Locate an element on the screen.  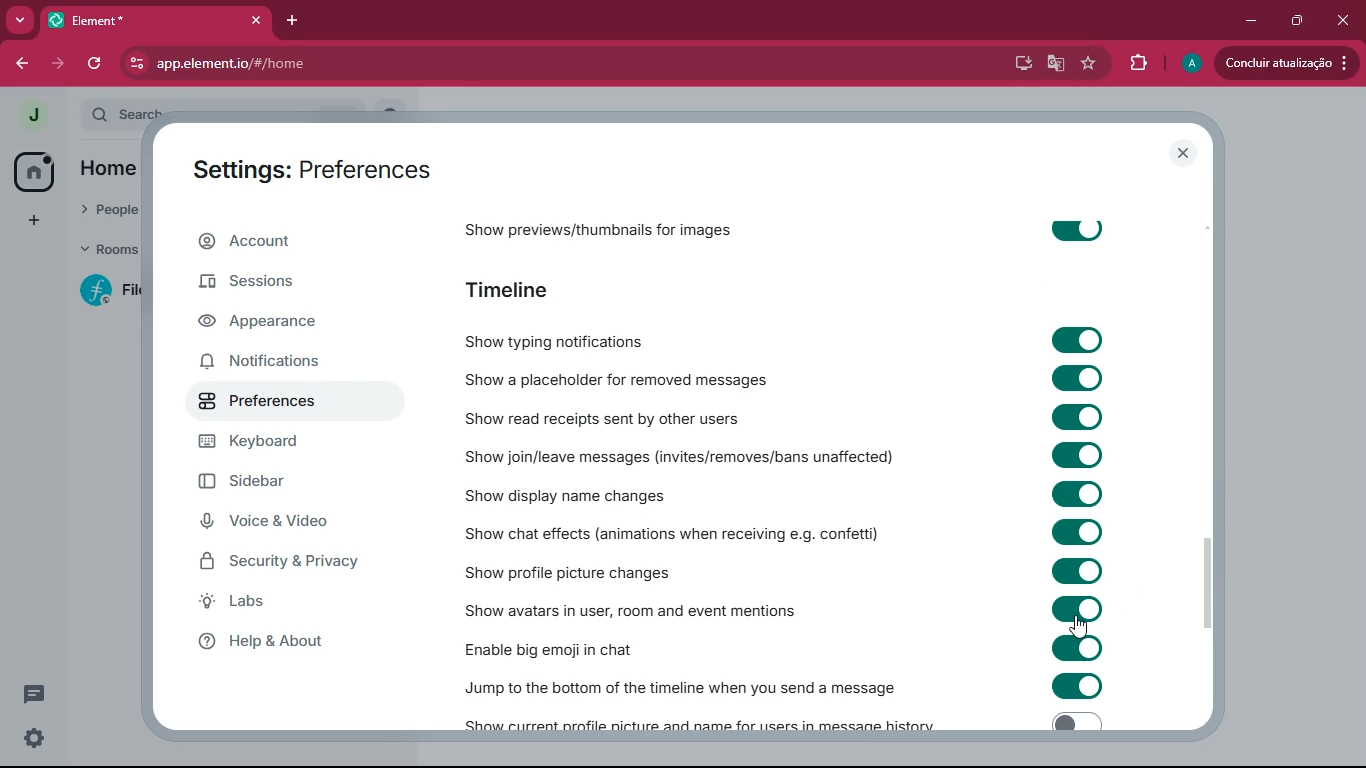
help is located at coordinates (294, 643).